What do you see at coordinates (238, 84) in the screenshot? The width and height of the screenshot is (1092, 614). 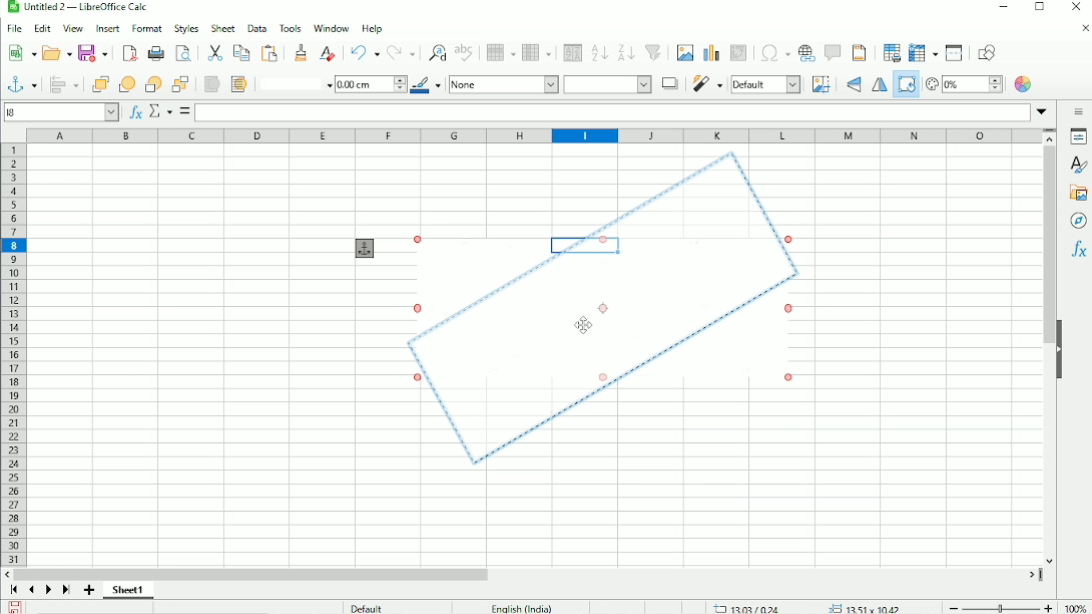 I see `To background` at bounding box center [238, 84].